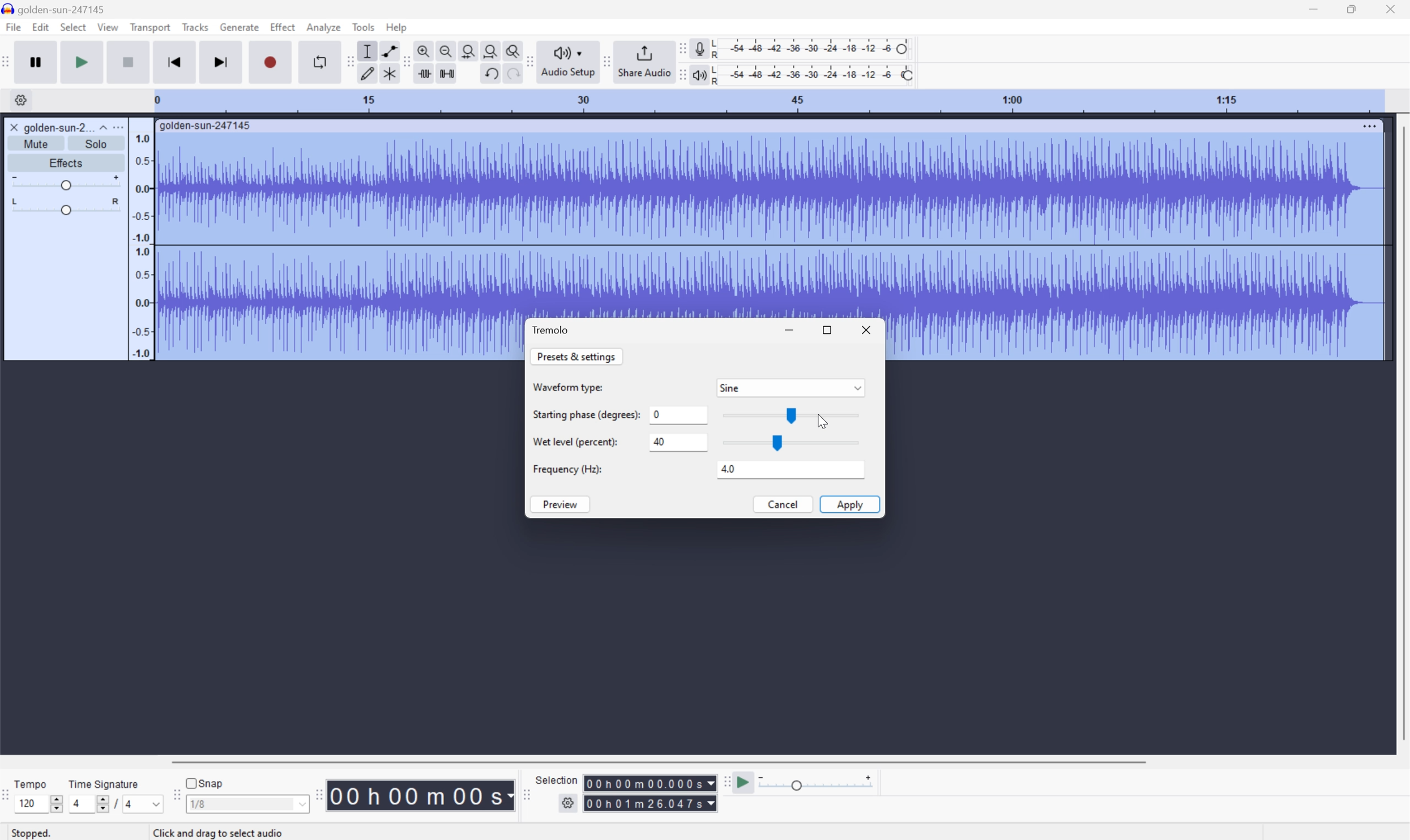  Describe the element at coordinates (725, 780) in the screenshot. I see `Audacity play at speed toolbar` at that location.